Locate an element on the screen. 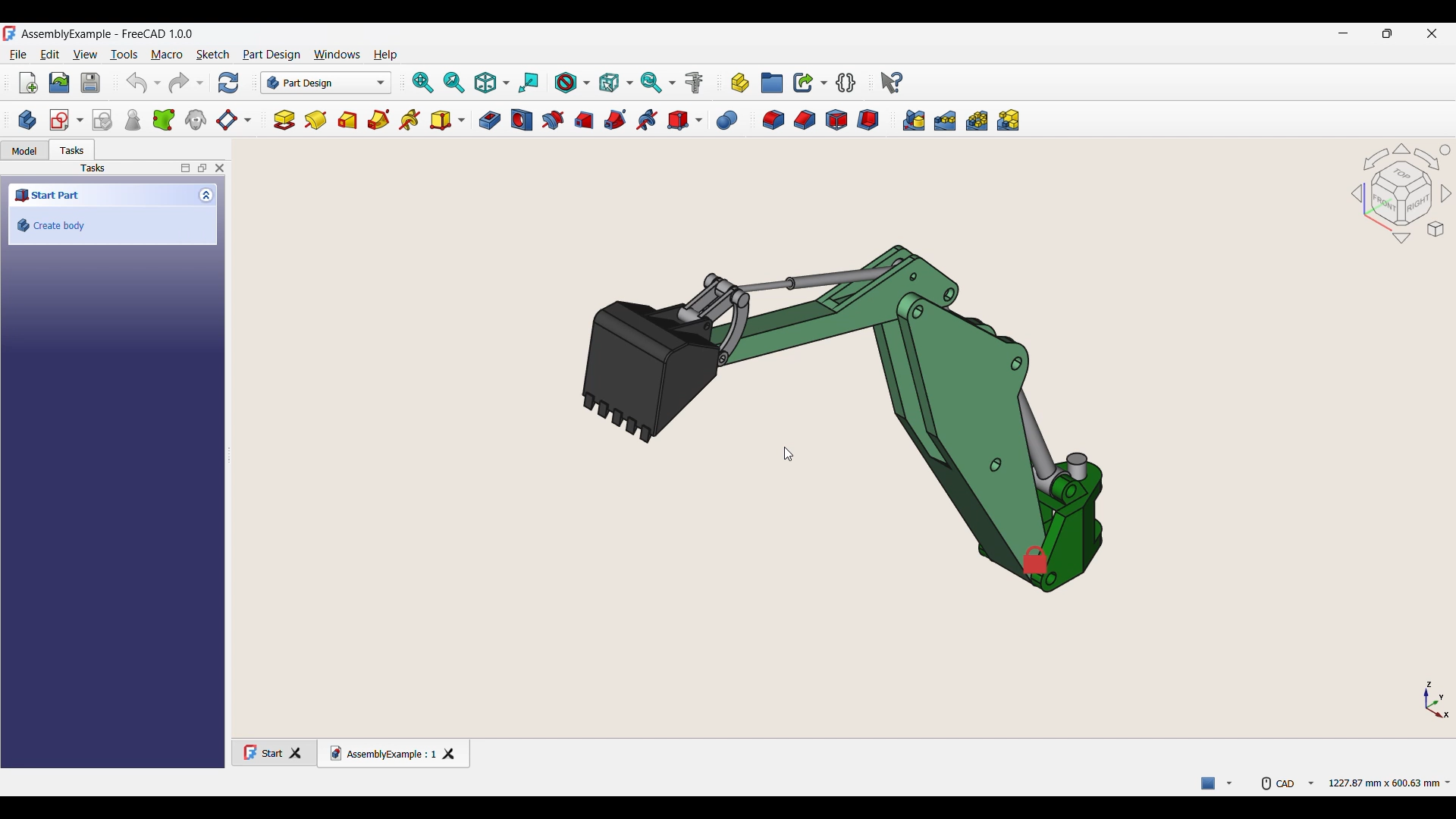 This screenshot has width=1456, height=819. Macro menu  is located at coordinates (166, 55).